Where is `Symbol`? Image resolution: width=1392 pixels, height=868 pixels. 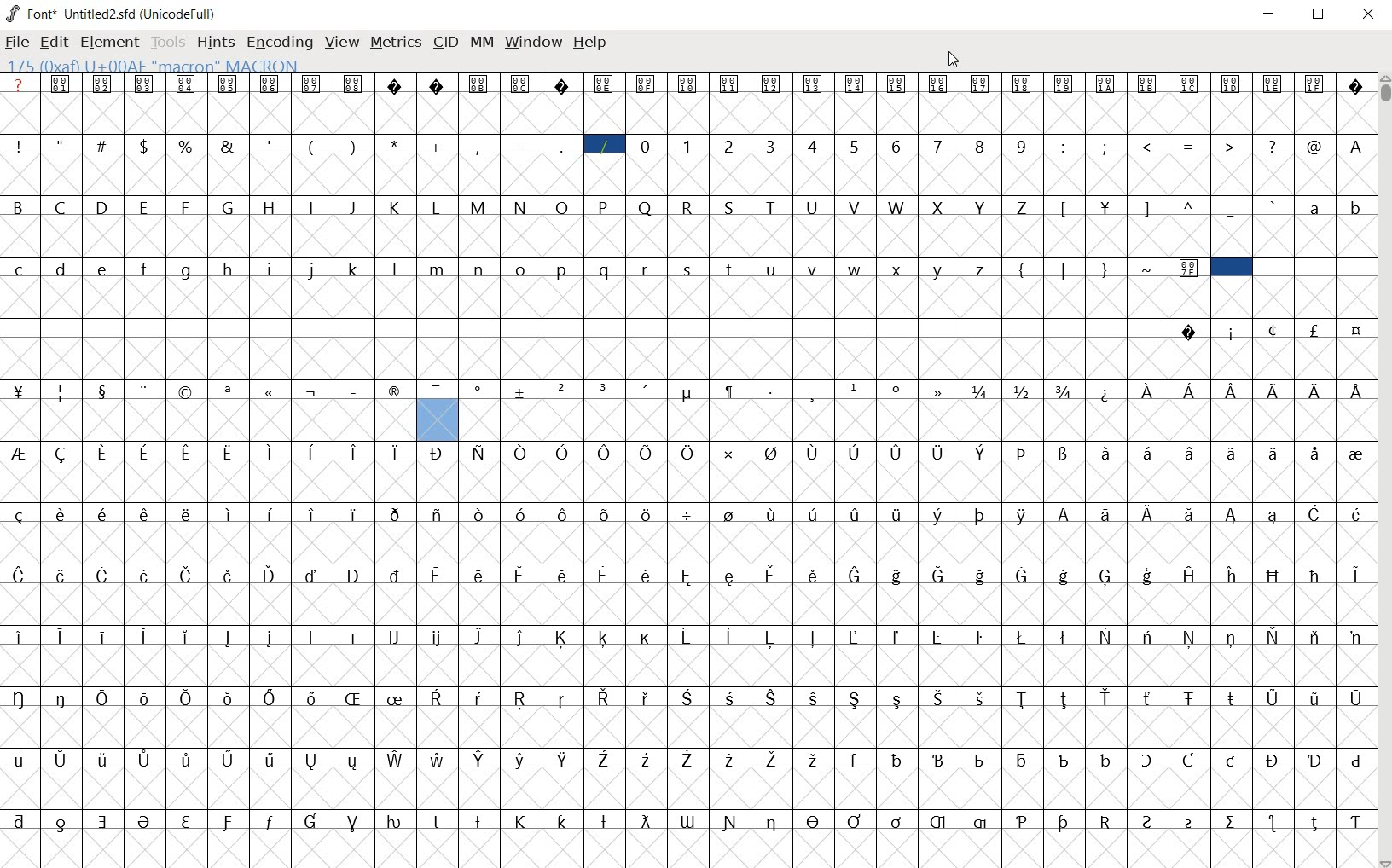 Symbol is located at coordinates (1147, 390).